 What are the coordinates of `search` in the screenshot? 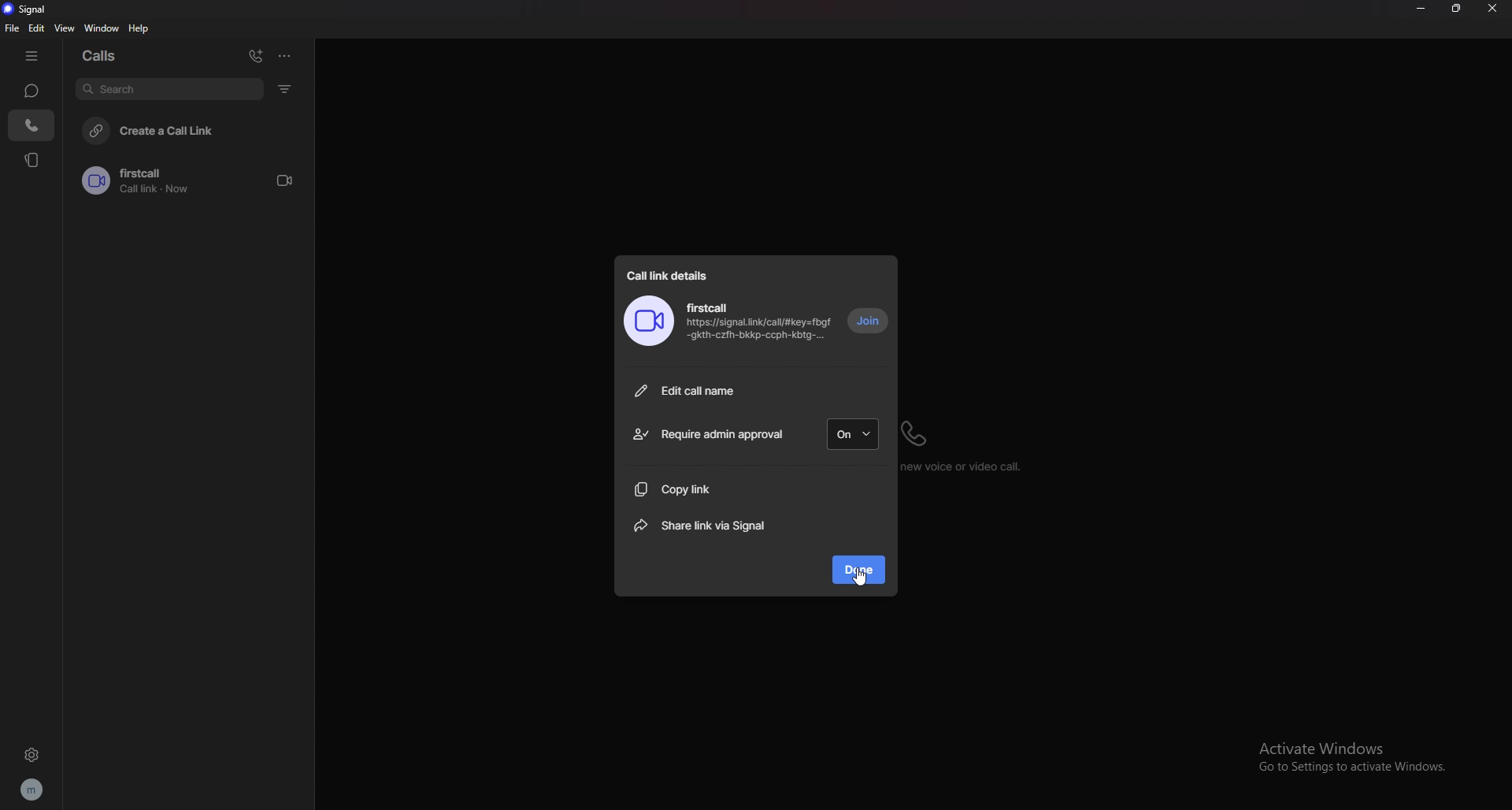 It's located at (169, 88).